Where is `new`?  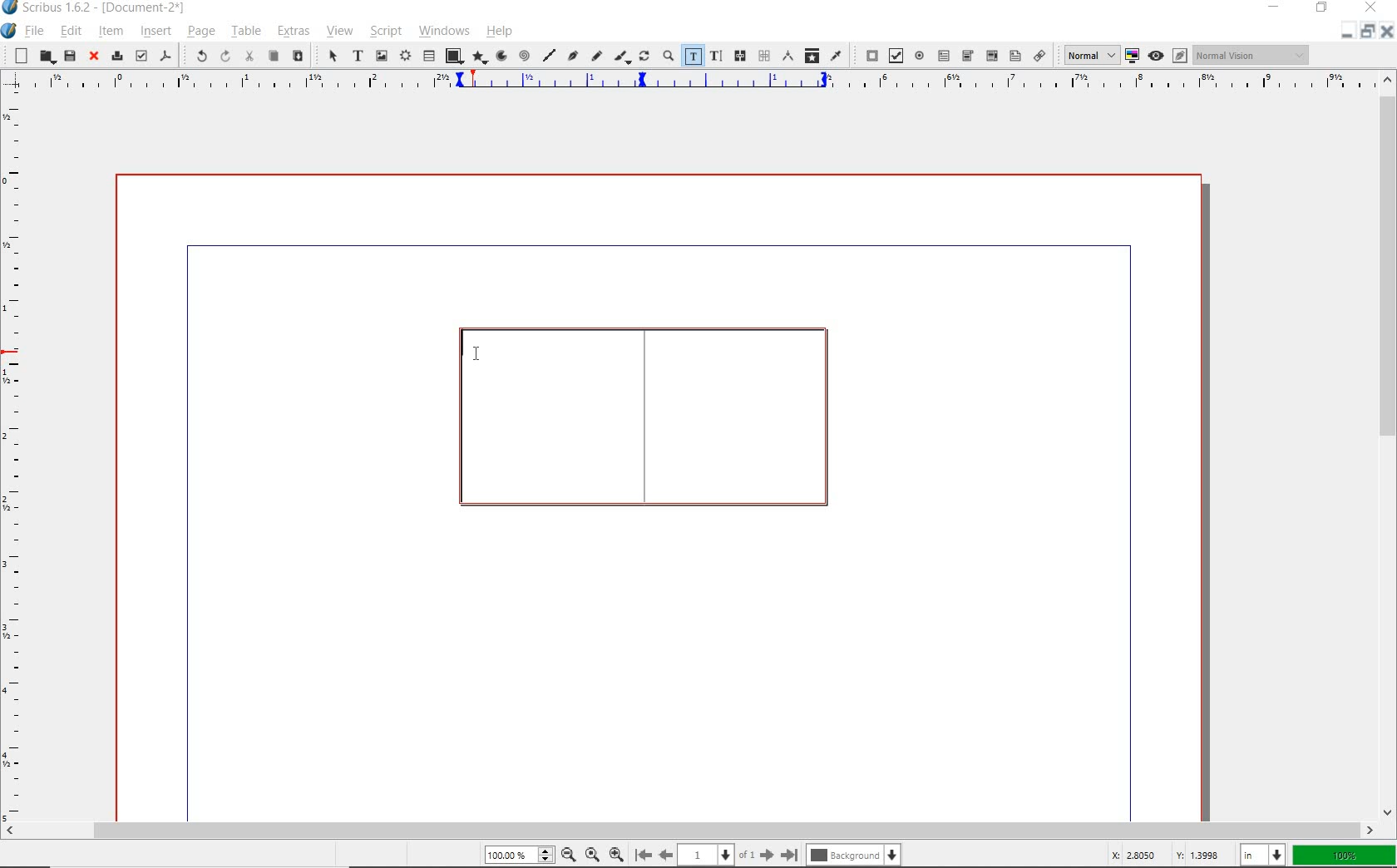 new is located at coordinates (18, 56).